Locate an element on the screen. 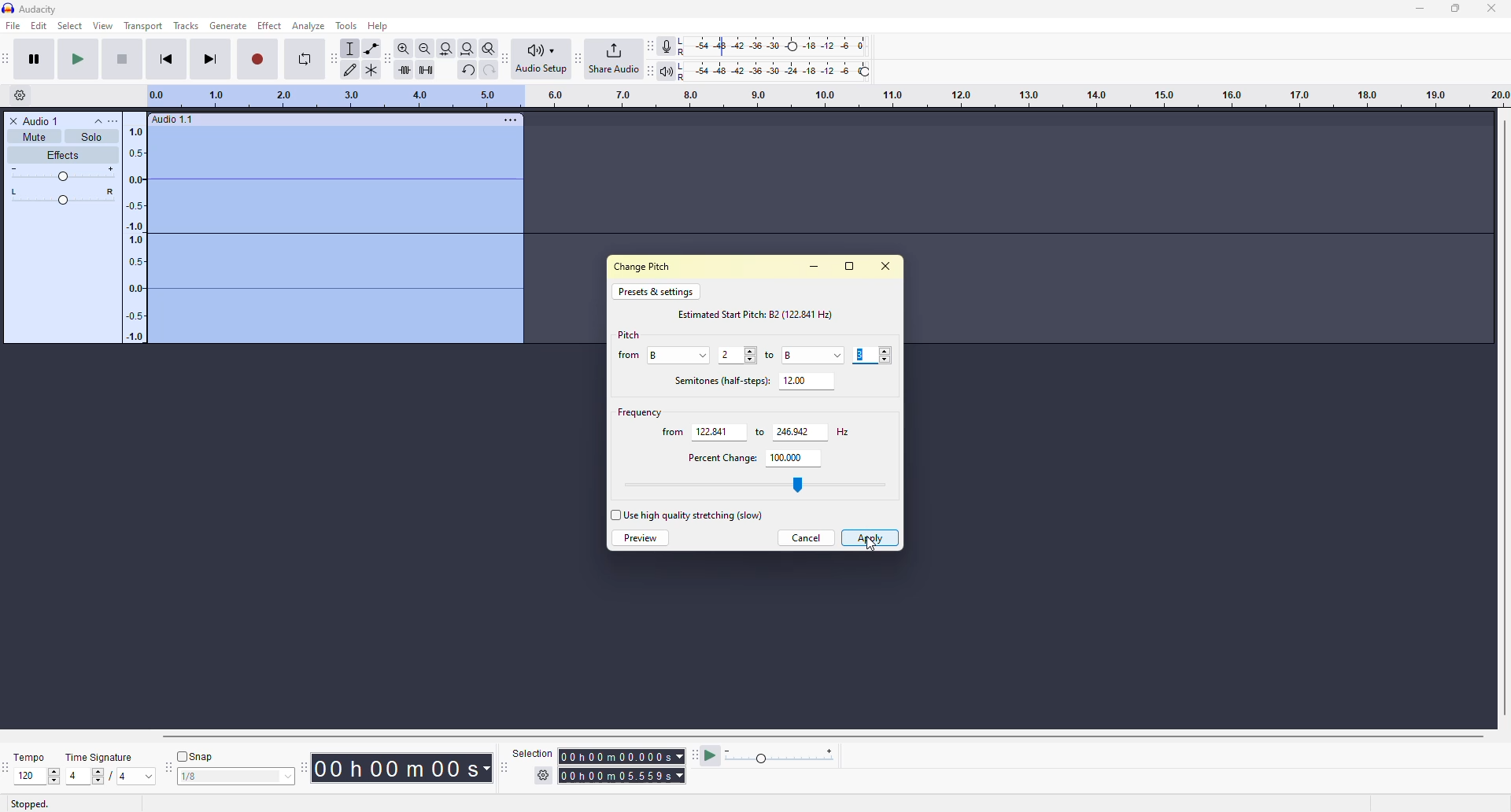 Image resolution: width=1511 pixels, height=812 pixels. select is located at coordinates (284, 777).